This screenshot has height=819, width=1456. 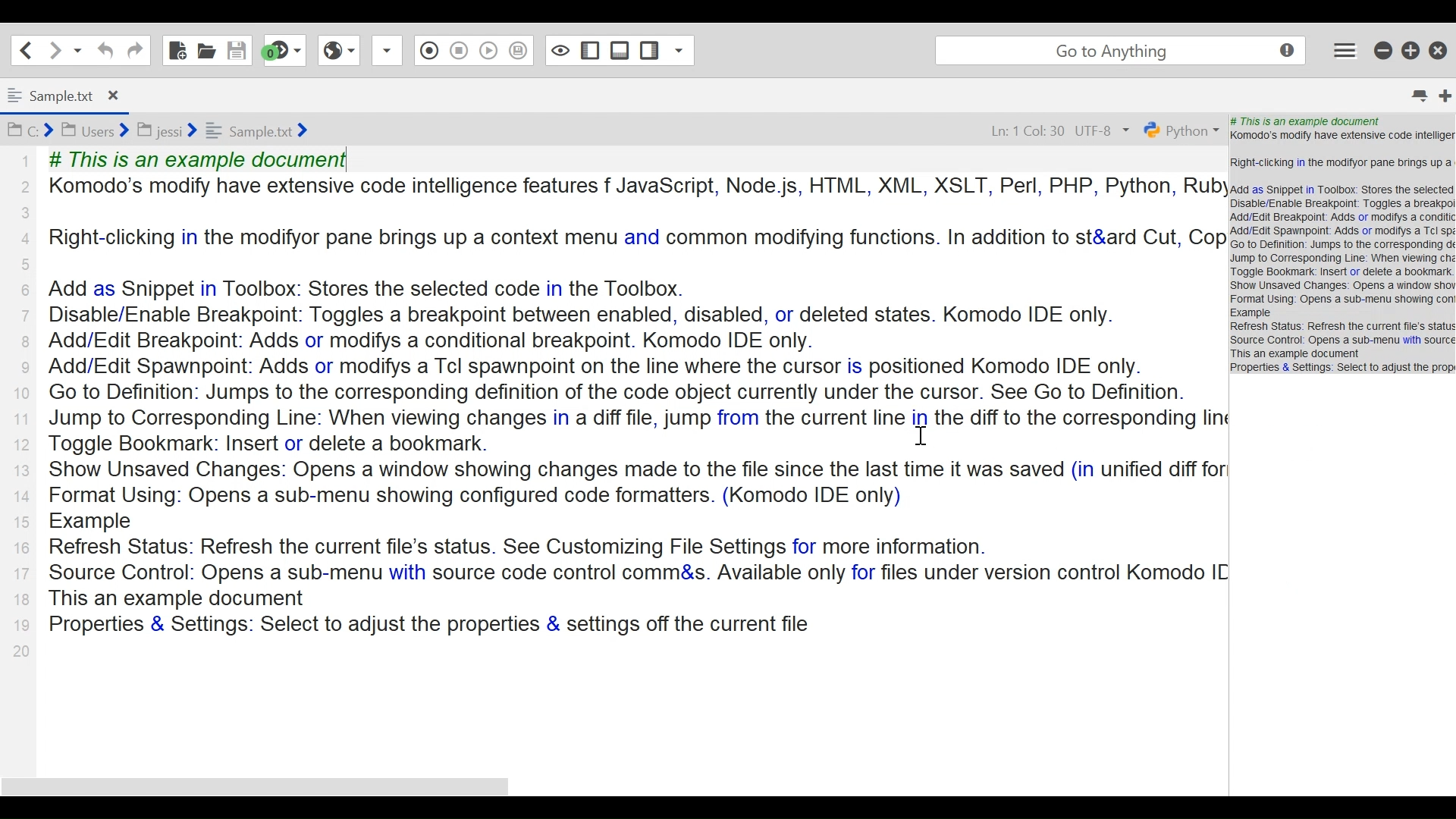 I want to click on Stop Recording Macro, so click(x=428, y=49).